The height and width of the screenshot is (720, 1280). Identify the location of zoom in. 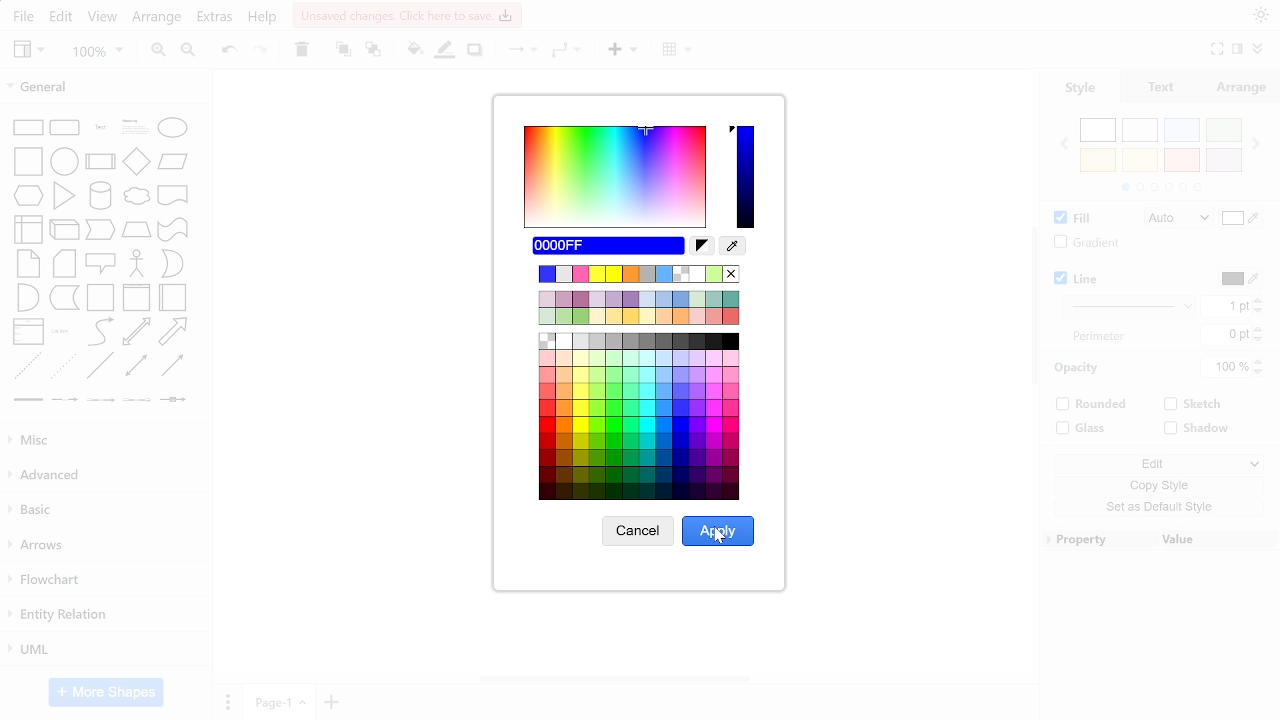
(155, 52).